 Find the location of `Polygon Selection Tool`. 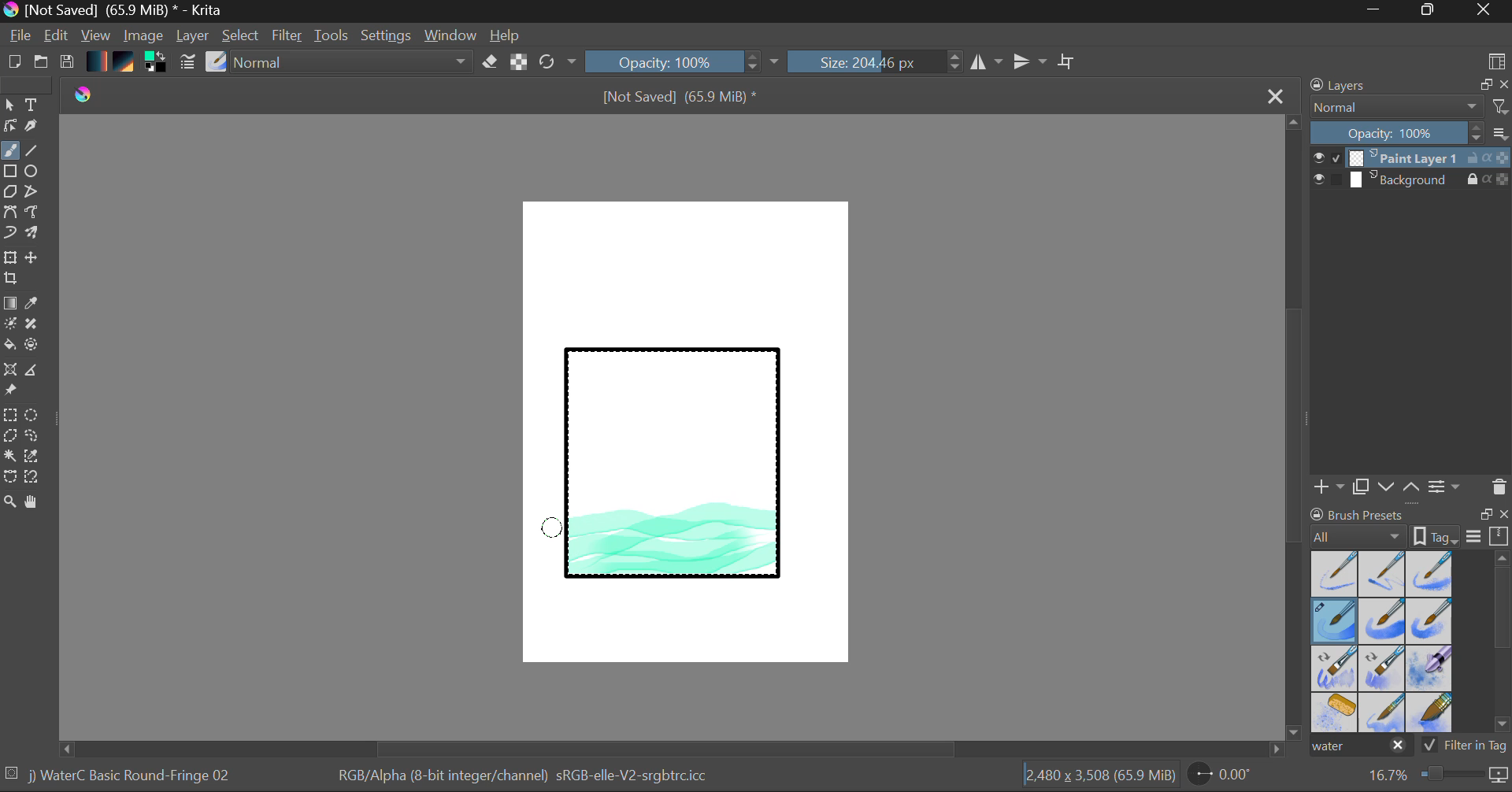

Polygon Selection Tool is located at coordinates (9, 436).